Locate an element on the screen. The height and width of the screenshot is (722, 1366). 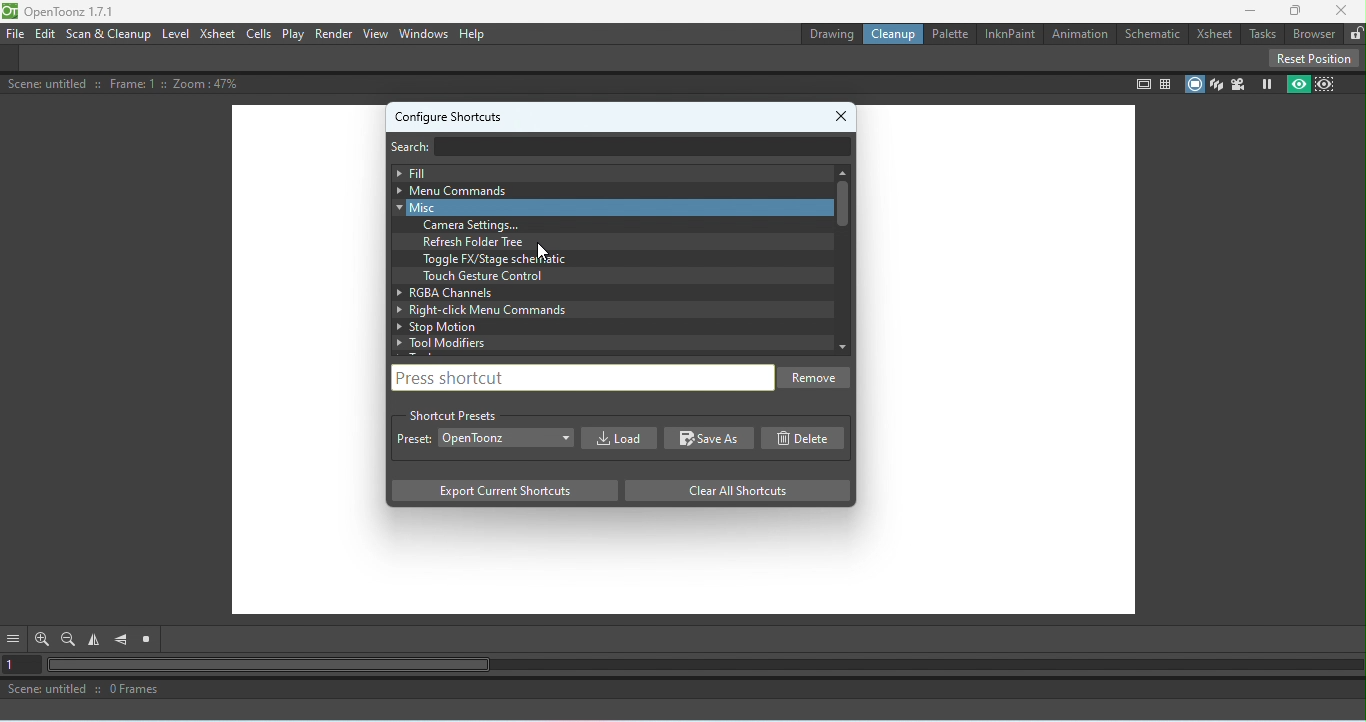
Edit is located at coordinates (44, 34).